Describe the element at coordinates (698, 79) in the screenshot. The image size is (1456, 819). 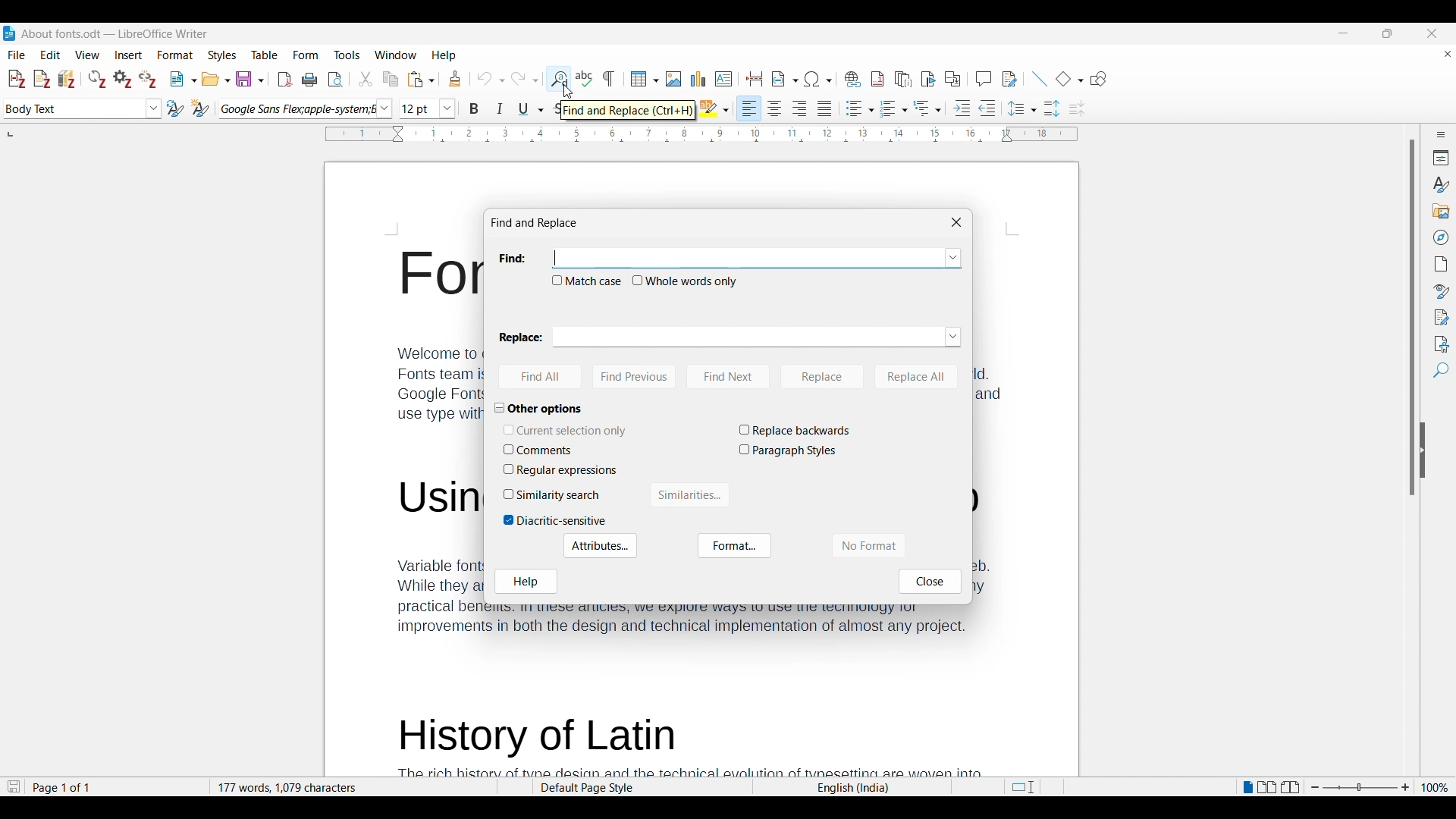
I see `Insert graph` at that location.